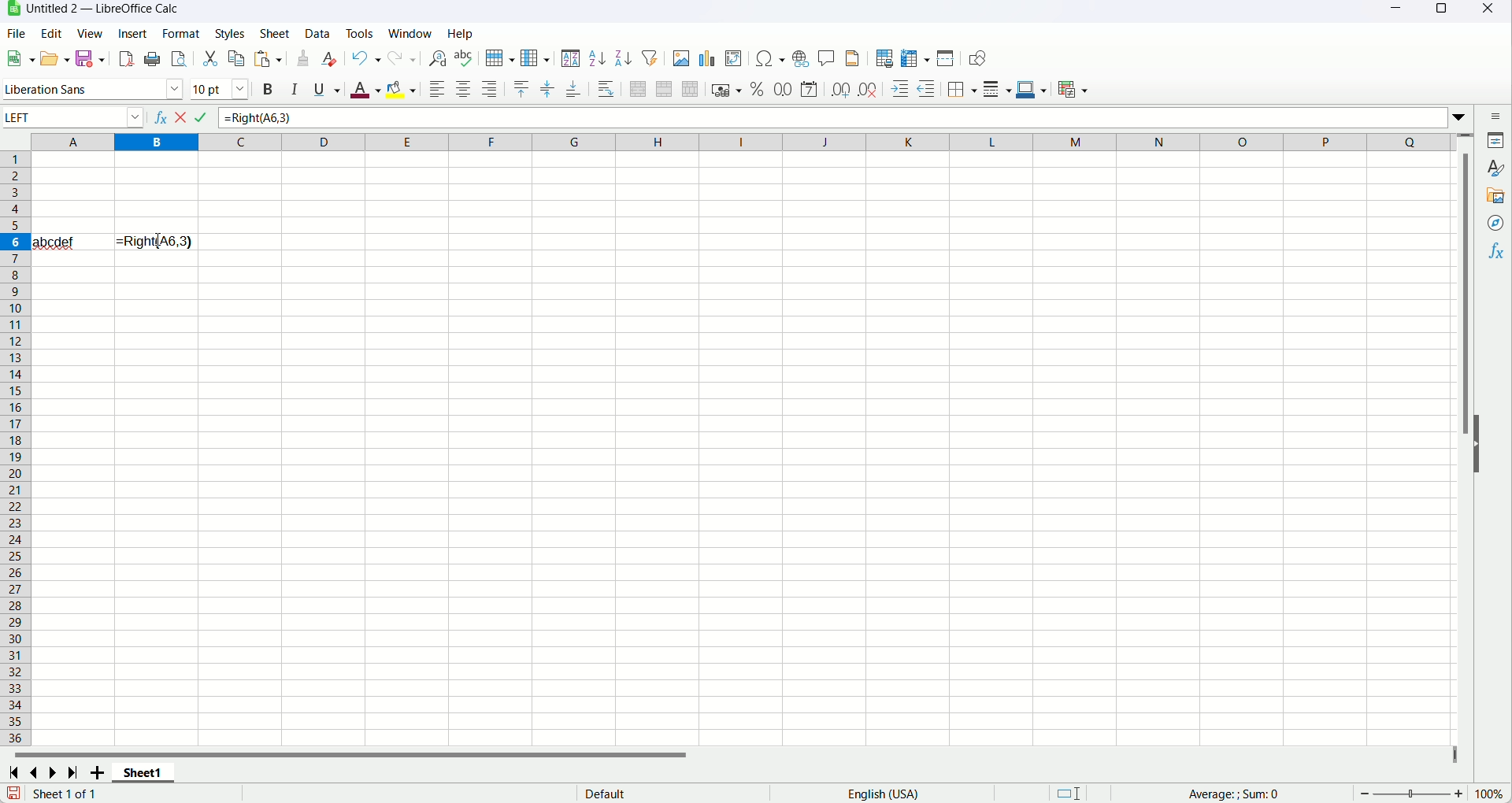 The image size is (1512, 803). What do you see at coordinates (365, 90) in the screenshot?
I see `font color` at bounding box center [365, 90].